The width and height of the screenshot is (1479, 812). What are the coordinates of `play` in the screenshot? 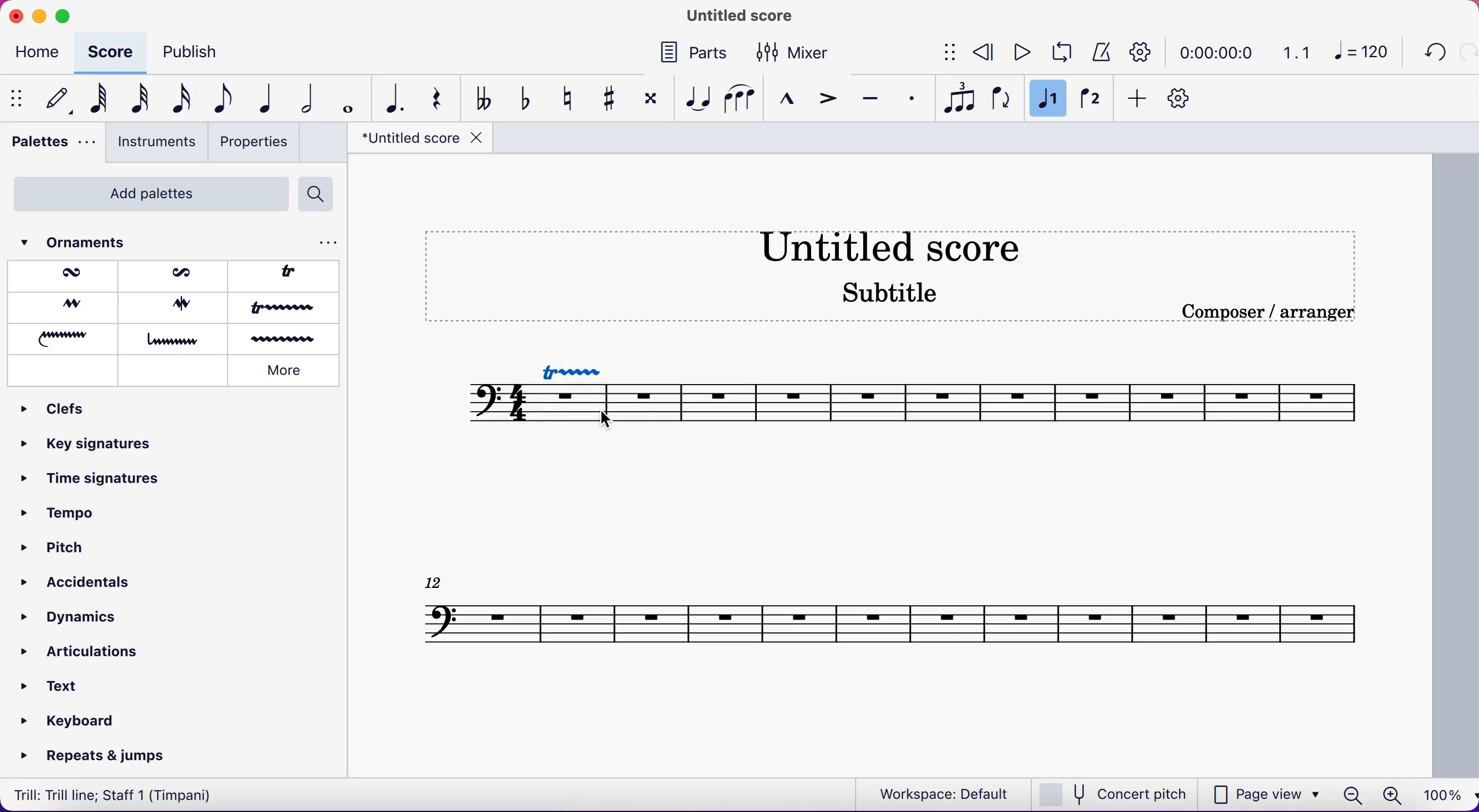 It's located at (1021, 54).